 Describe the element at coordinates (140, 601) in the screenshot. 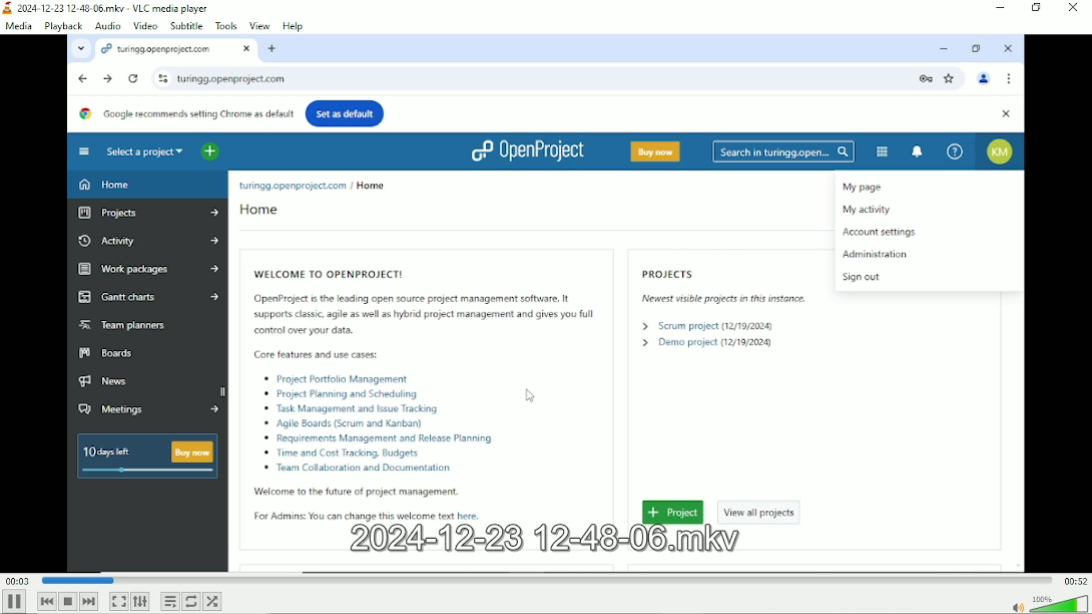

I see `Show extended settings` at that location.